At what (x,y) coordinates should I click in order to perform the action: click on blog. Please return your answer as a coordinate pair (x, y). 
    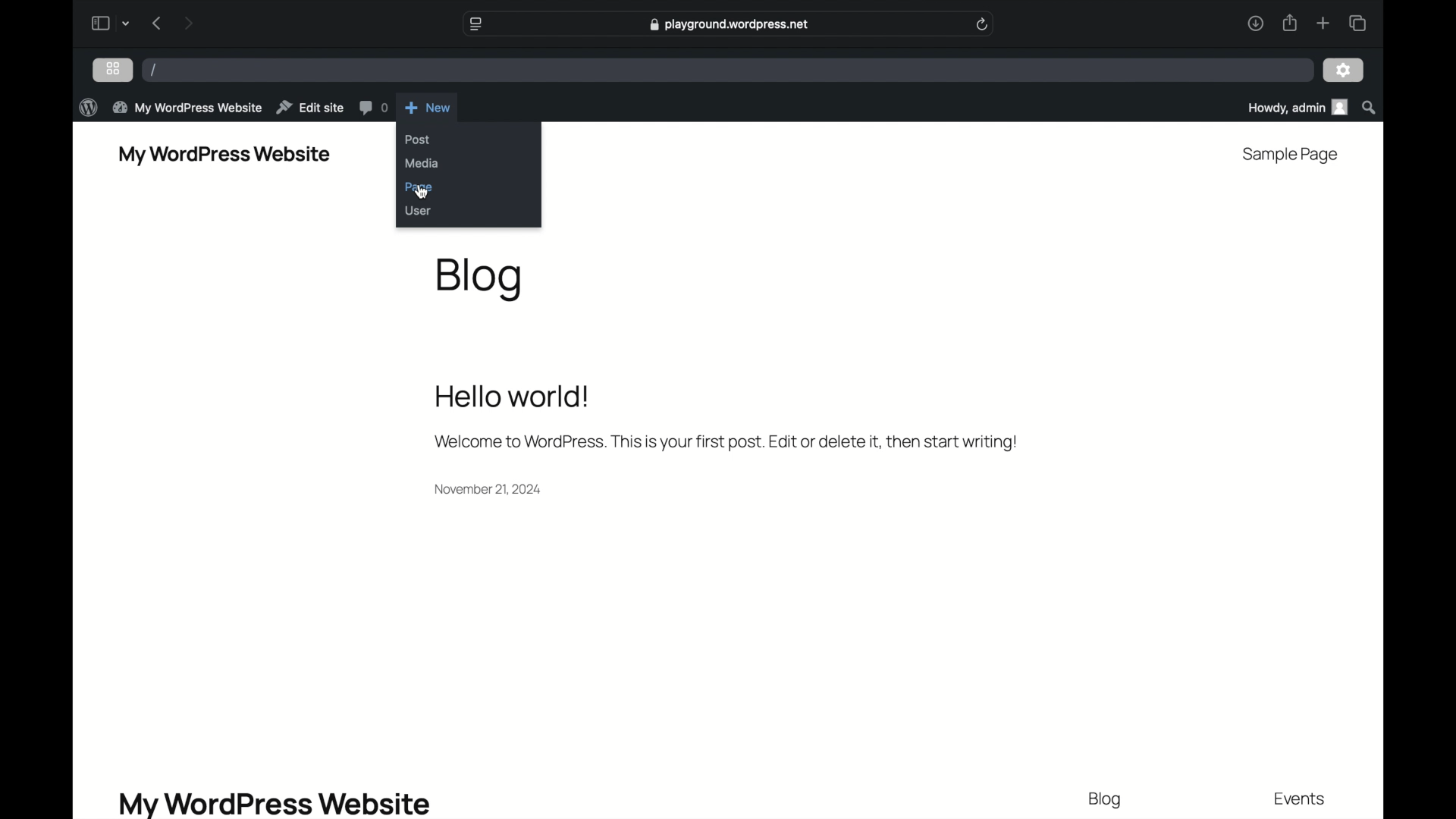
    Looking at the image, I should click on (1105, 800).